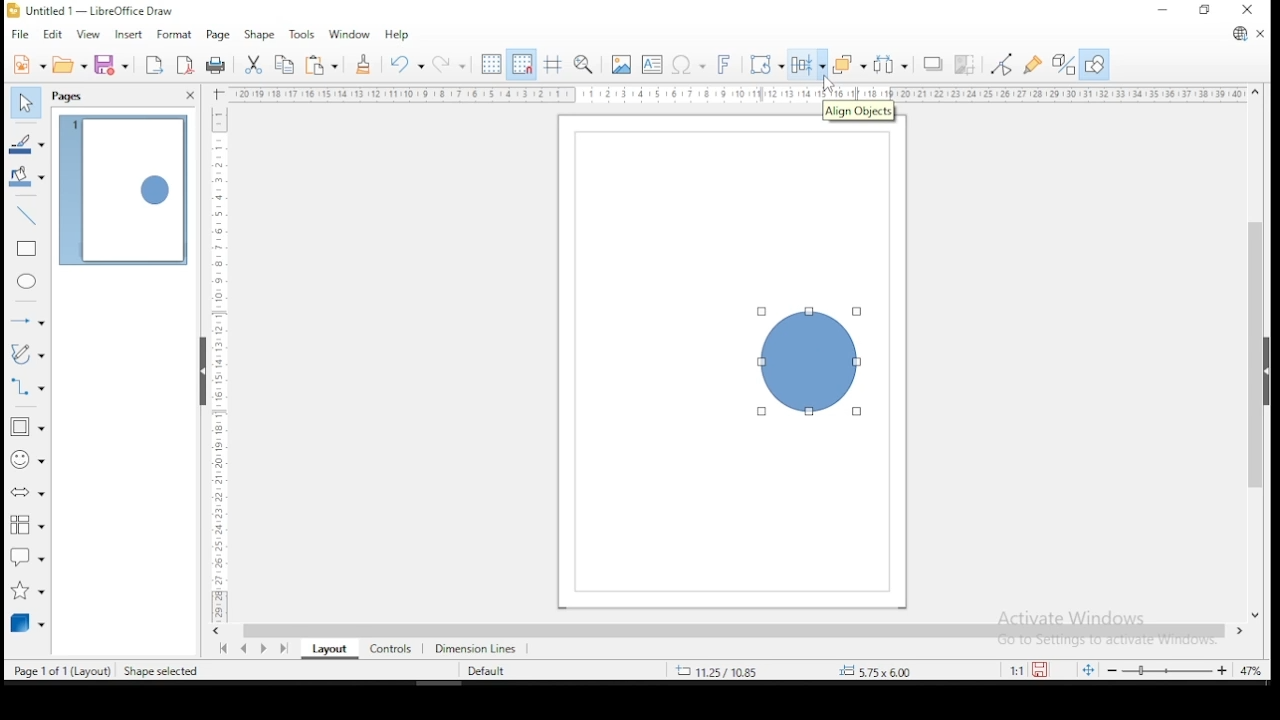  What do you see at coordinates (189, 96) in the screenshot?
I see `close deck` at bounding box center [189, 96].